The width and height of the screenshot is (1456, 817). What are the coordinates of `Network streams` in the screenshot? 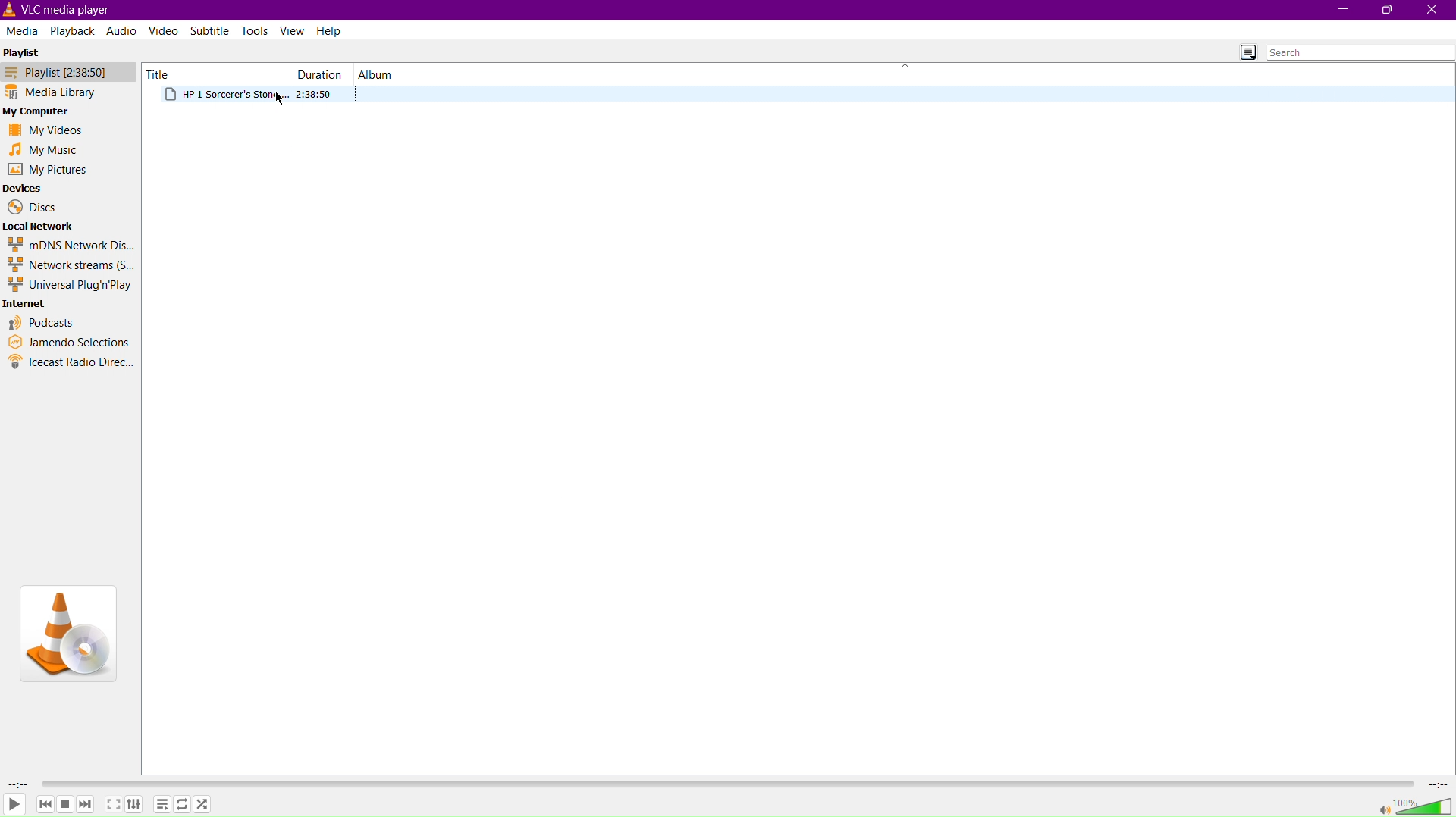 It's located at (69, 264).